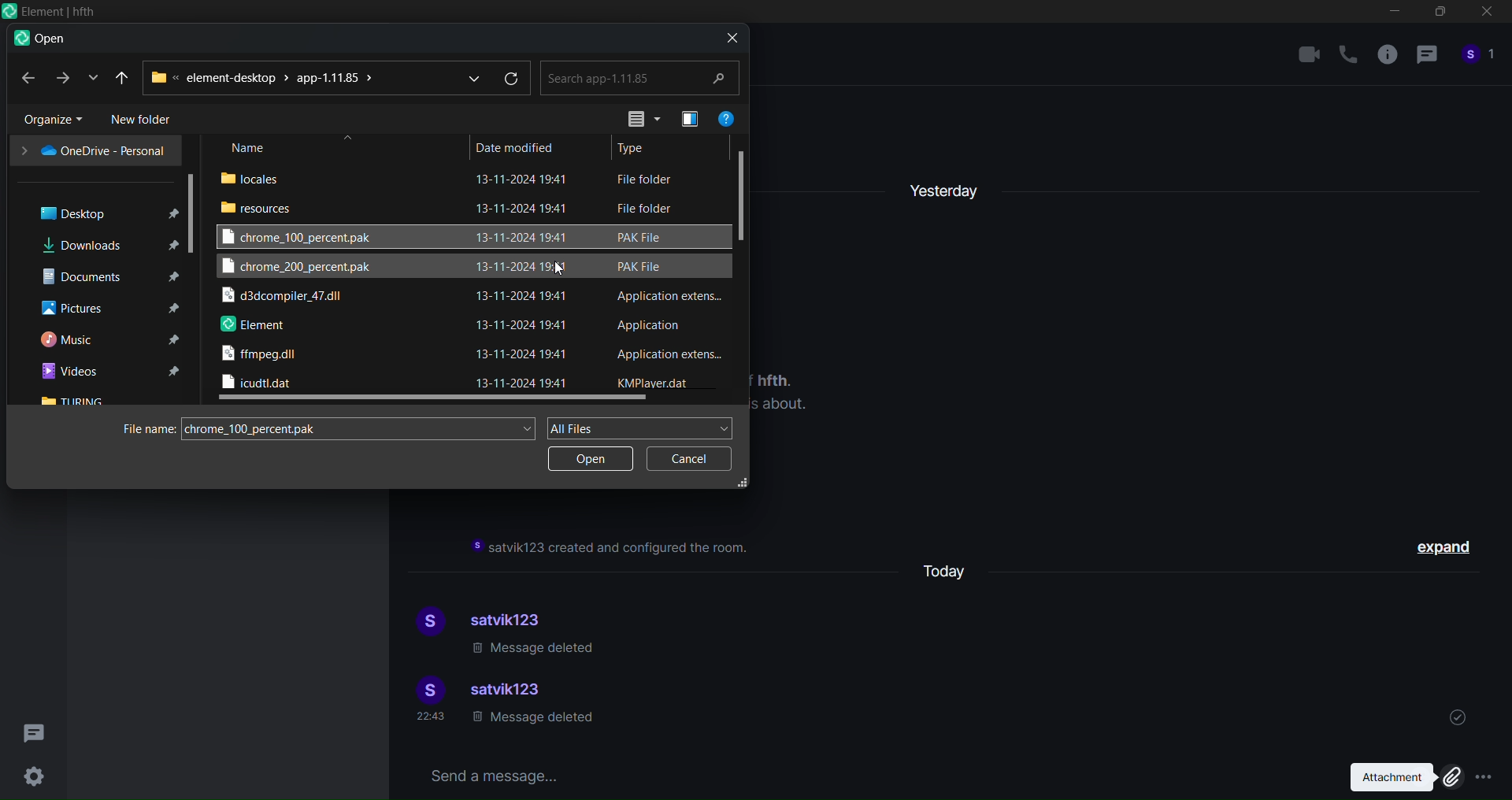 Image resolution: width=1512 pixels, height=800 pixels. Describe the element at coordinates (194, 212) in the screenshot. I see `scroll bar` at that location.